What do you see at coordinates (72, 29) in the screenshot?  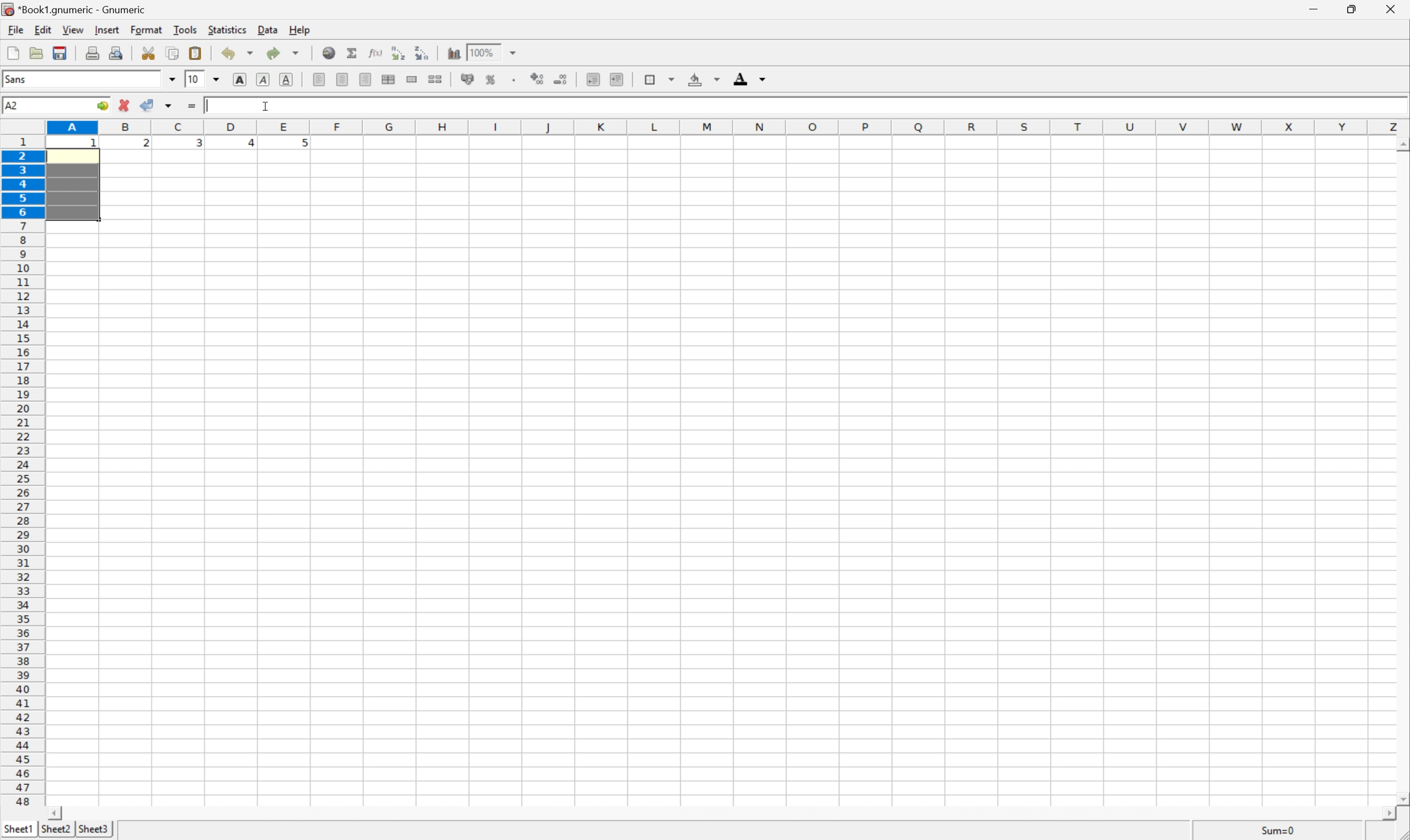 I see `view` at bounding box center [72, 29].